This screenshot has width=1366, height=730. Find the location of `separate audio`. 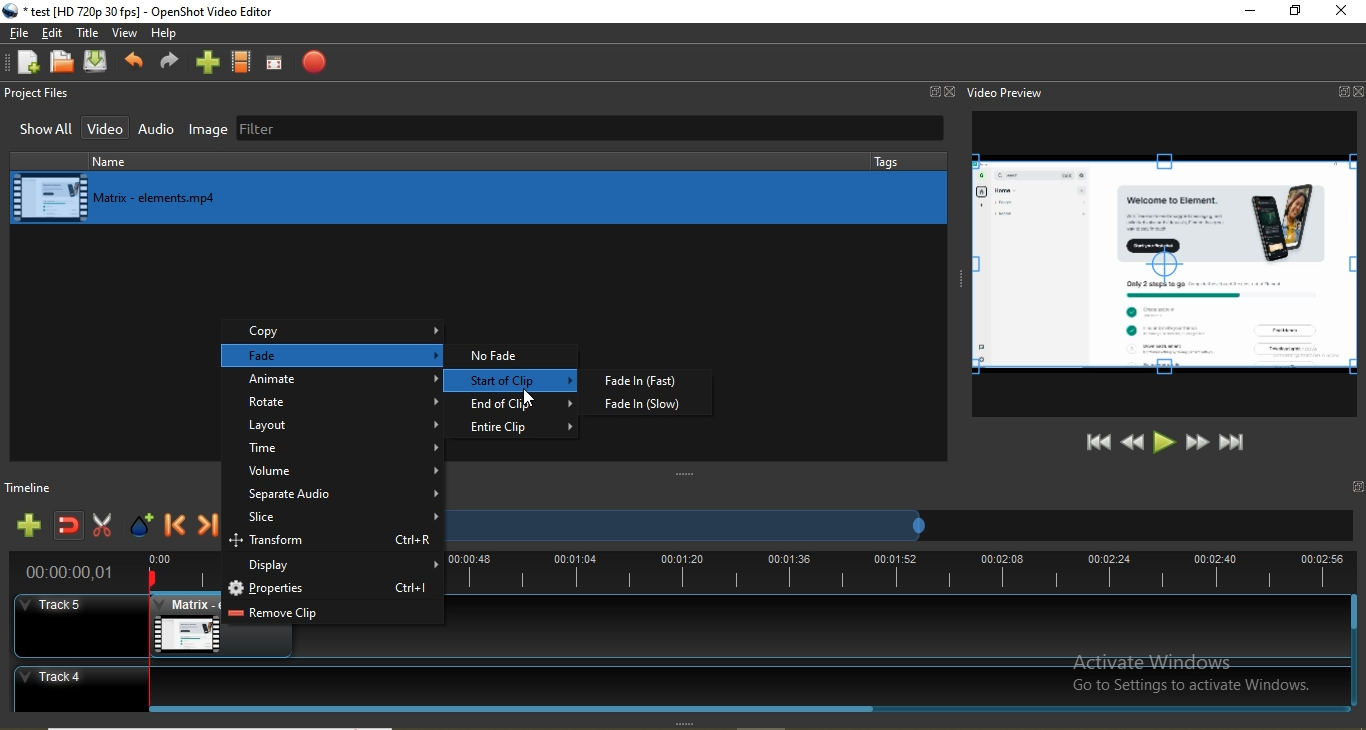

separate audio is located at coordinates (333, 497).